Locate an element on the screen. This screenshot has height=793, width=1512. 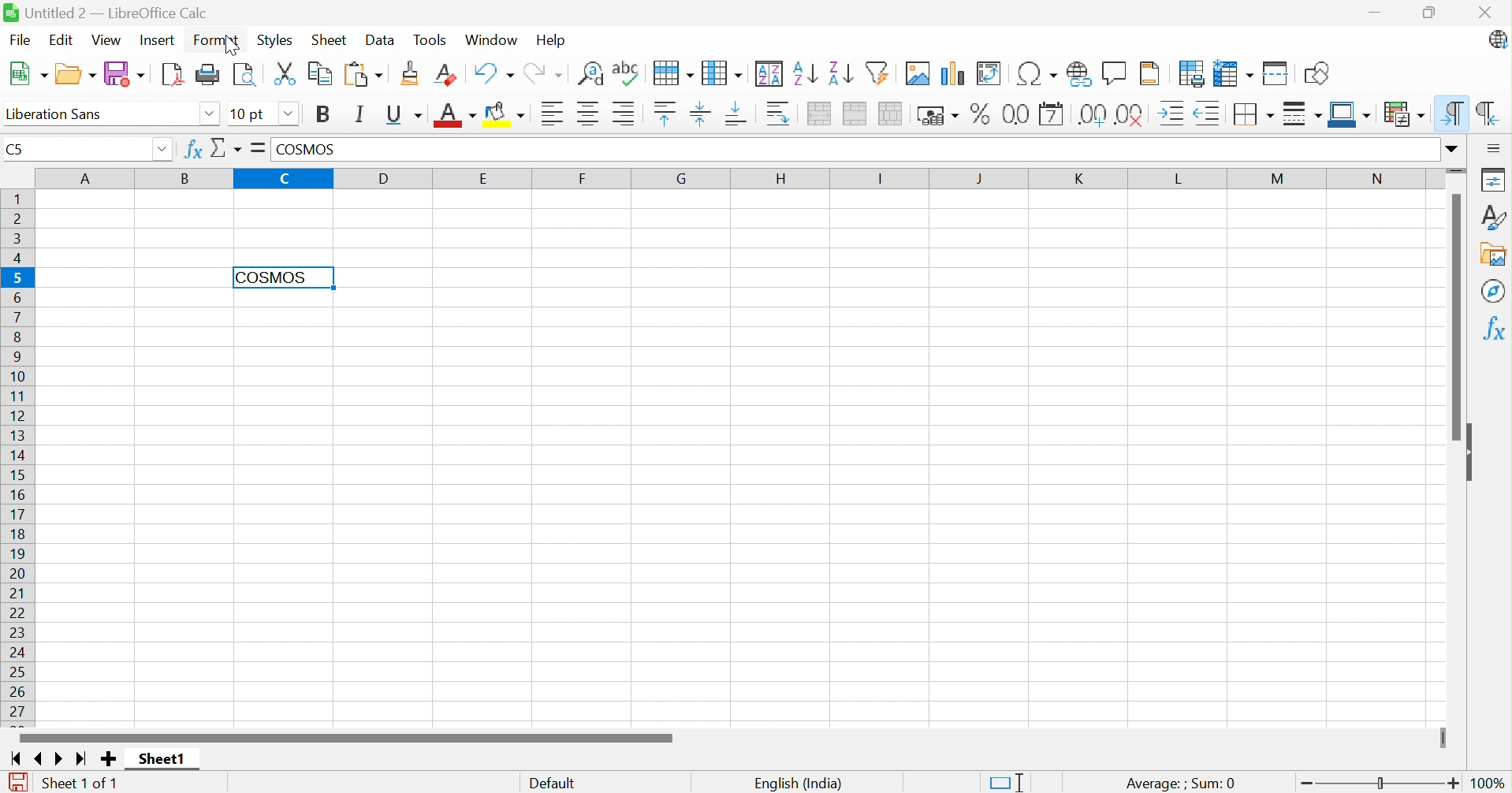
Merge Cells is located at coordinates (858, 114).